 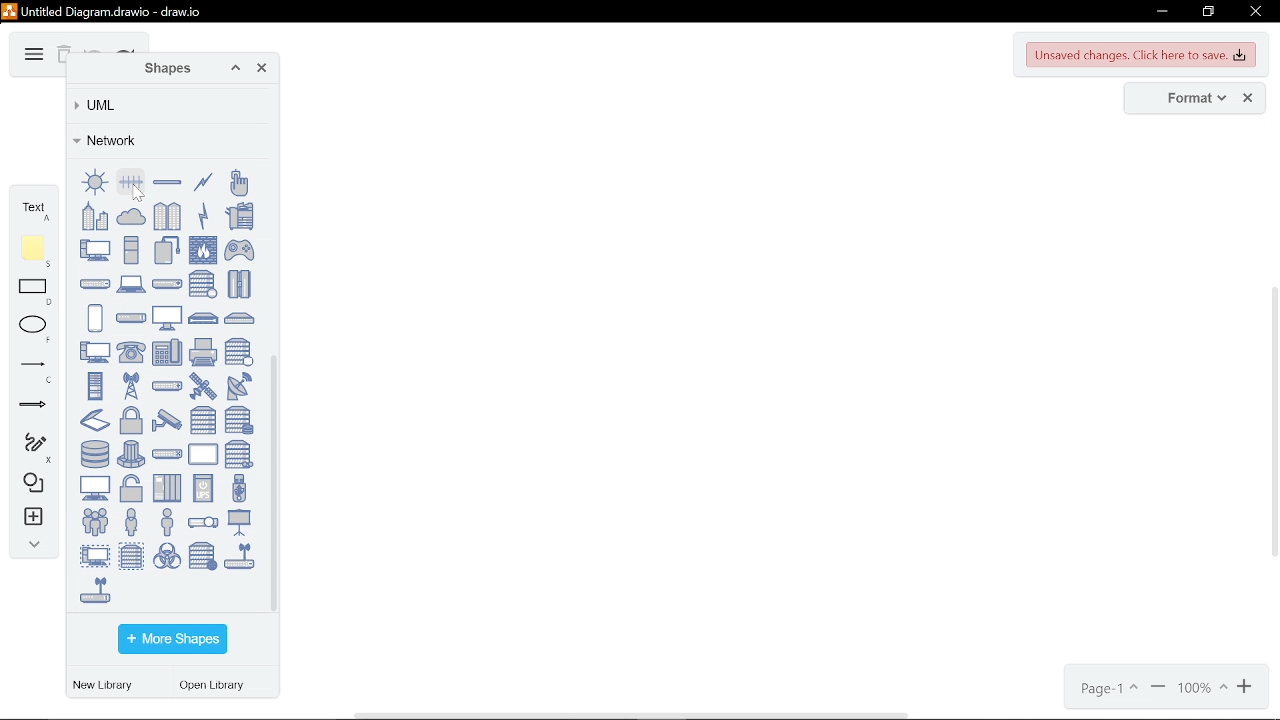 What do you see at coordinates (167, 386) in the screenshot?
I see `router` at bounding box center [167, 386].